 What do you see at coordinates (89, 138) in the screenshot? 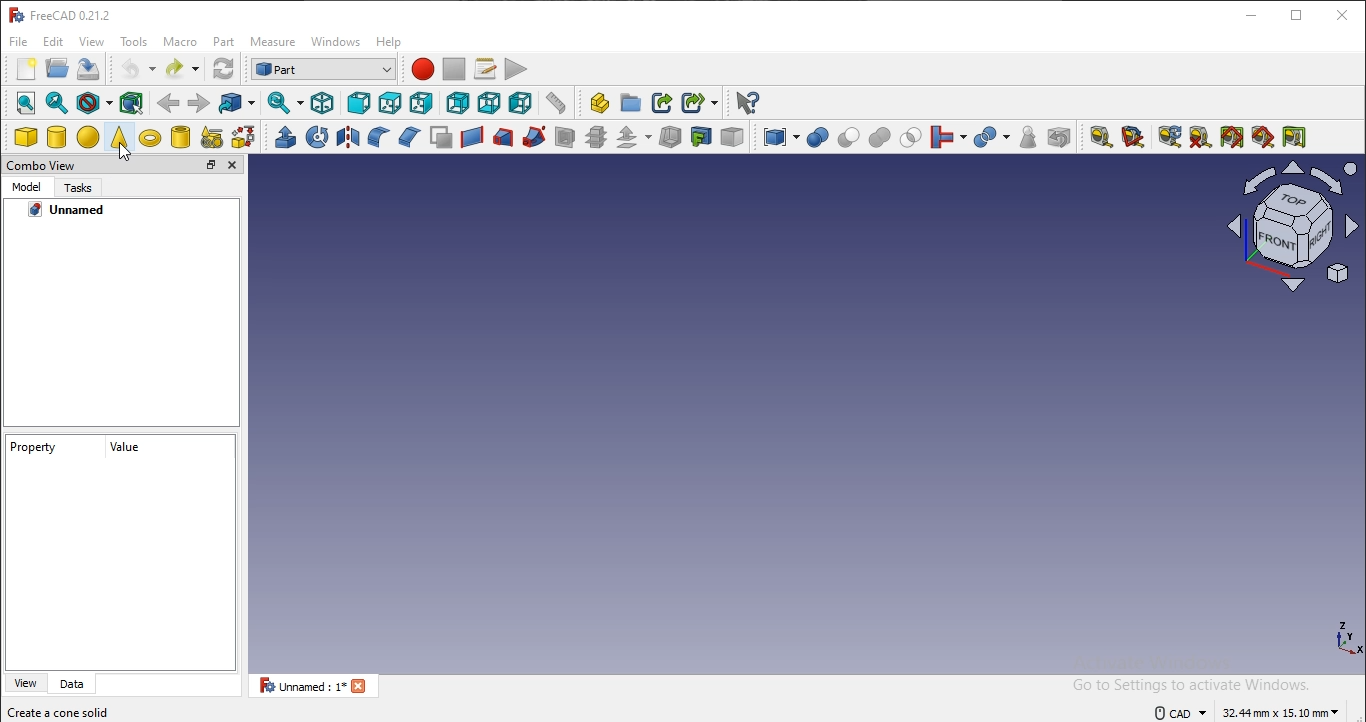
I see `sphere` at bounding box center [89, 138].